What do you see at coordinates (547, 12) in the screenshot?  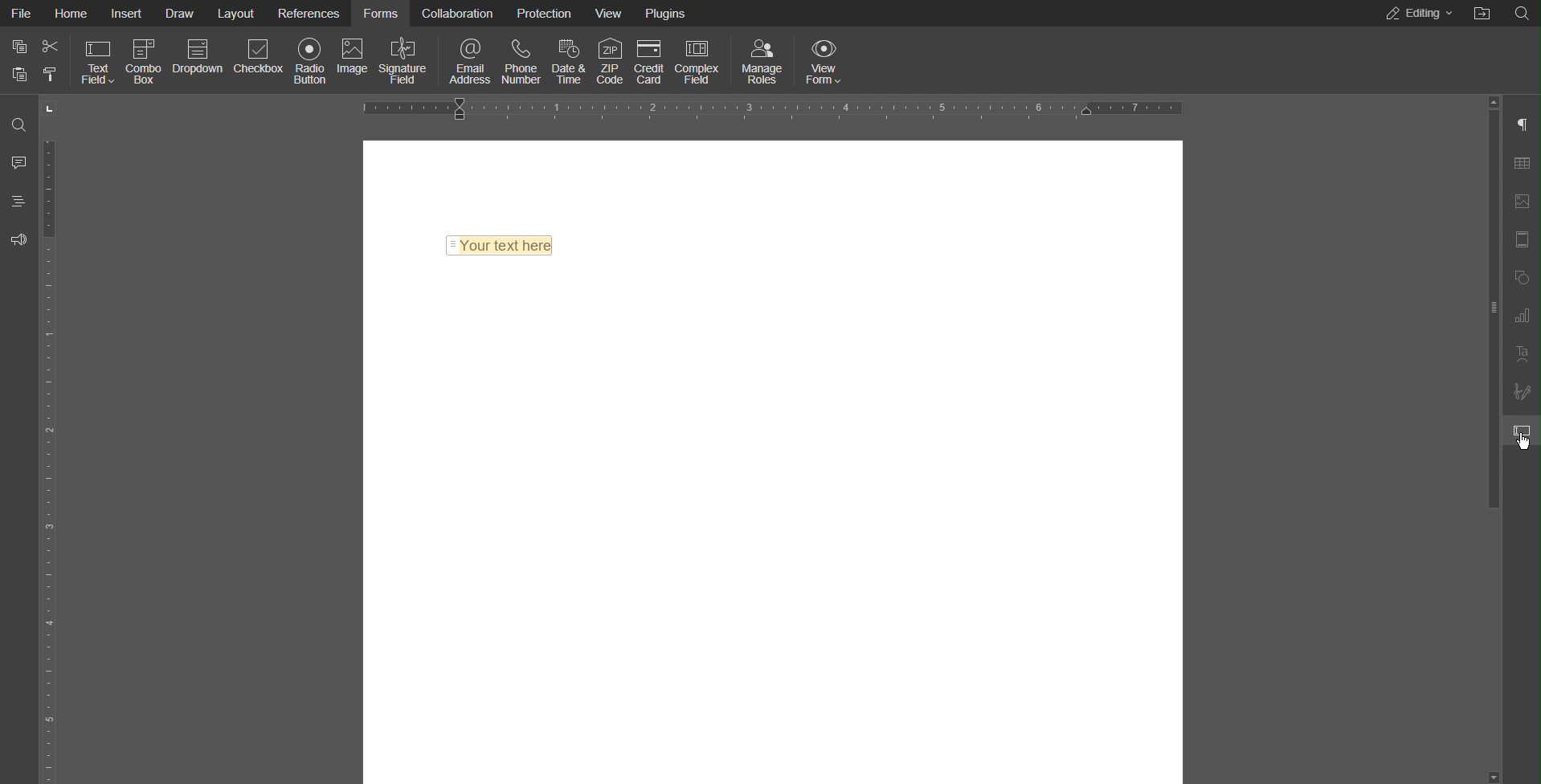 I see `Protection` at bounding box center [547, 12].